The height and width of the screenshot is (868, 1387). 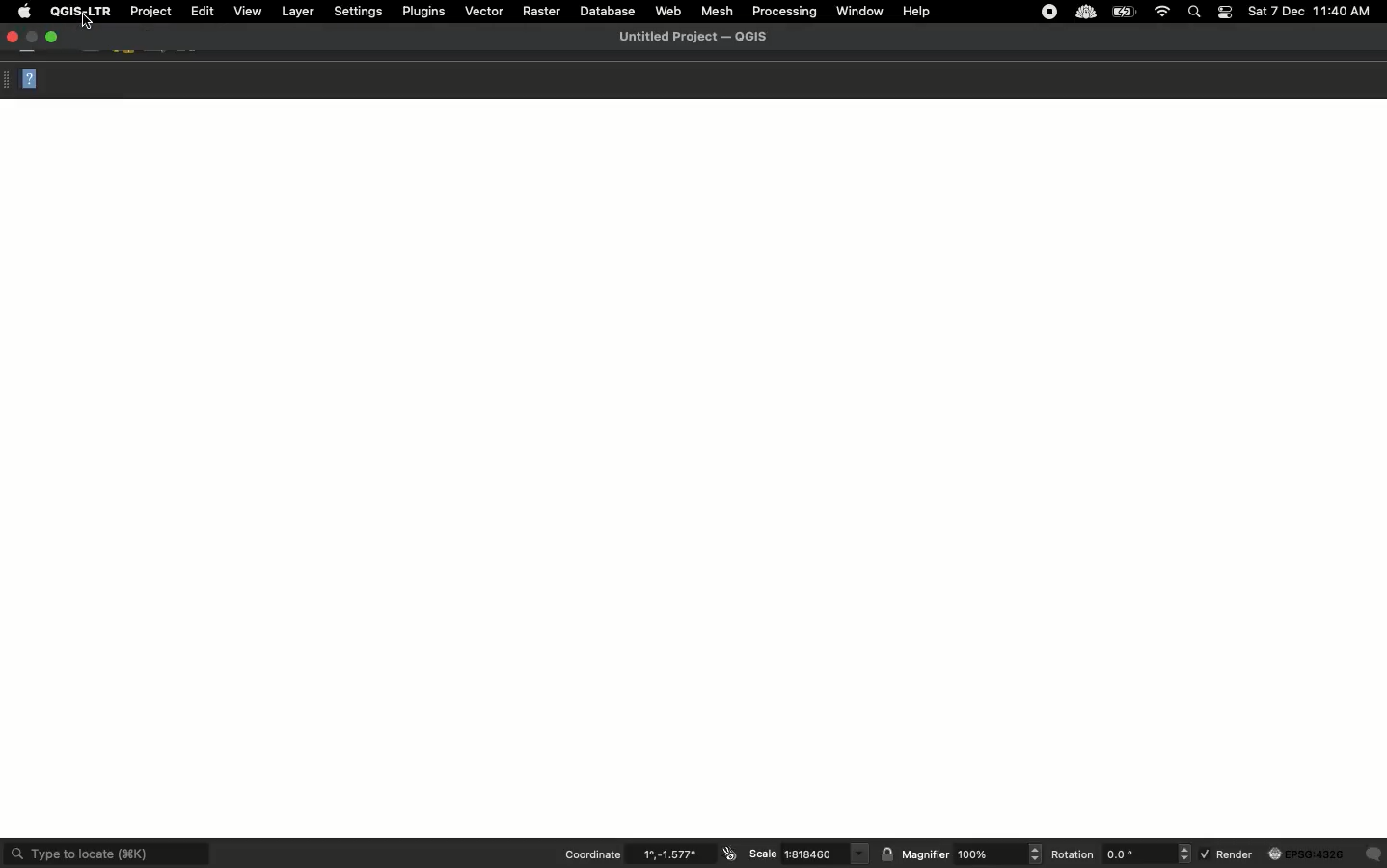 I want to click on Type to locate, so click(x=109, y=853).